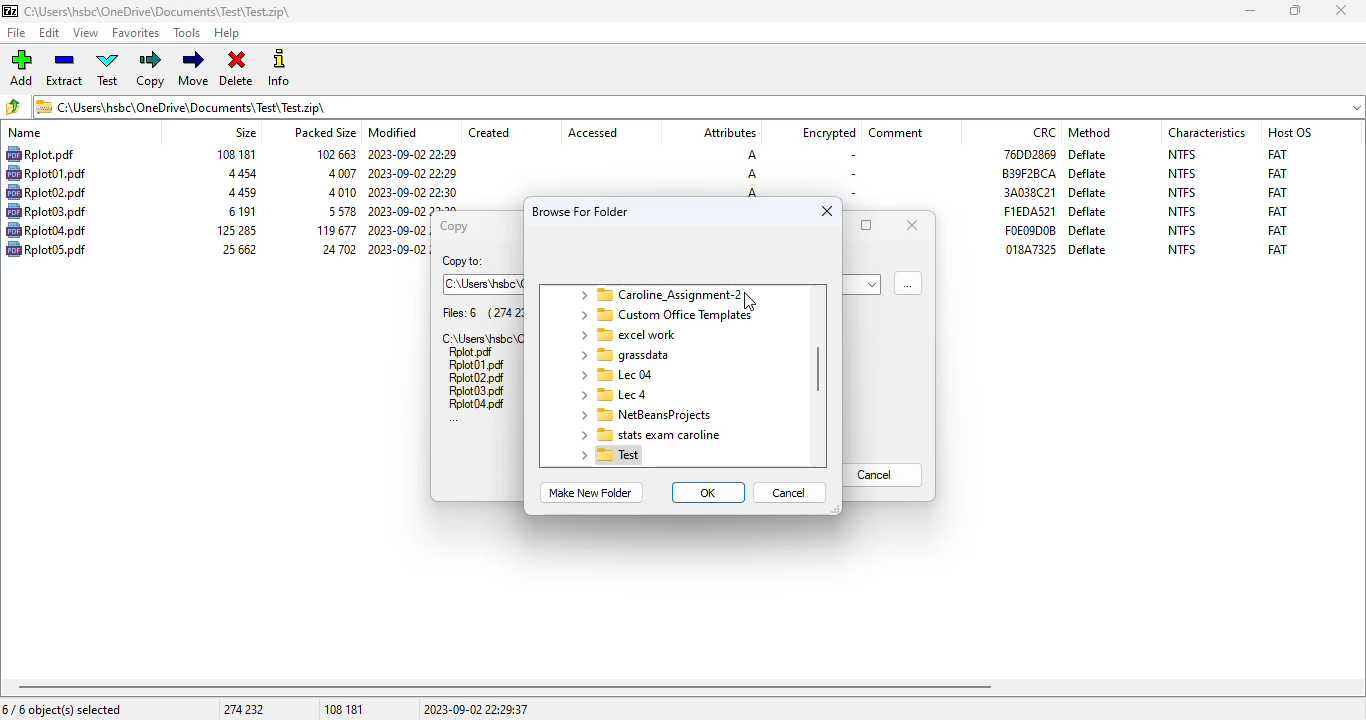 This screenshot has width=1366, height=720. Describe the element at coordinates (152, 69) in the screenshot. I see `copy` at that location.